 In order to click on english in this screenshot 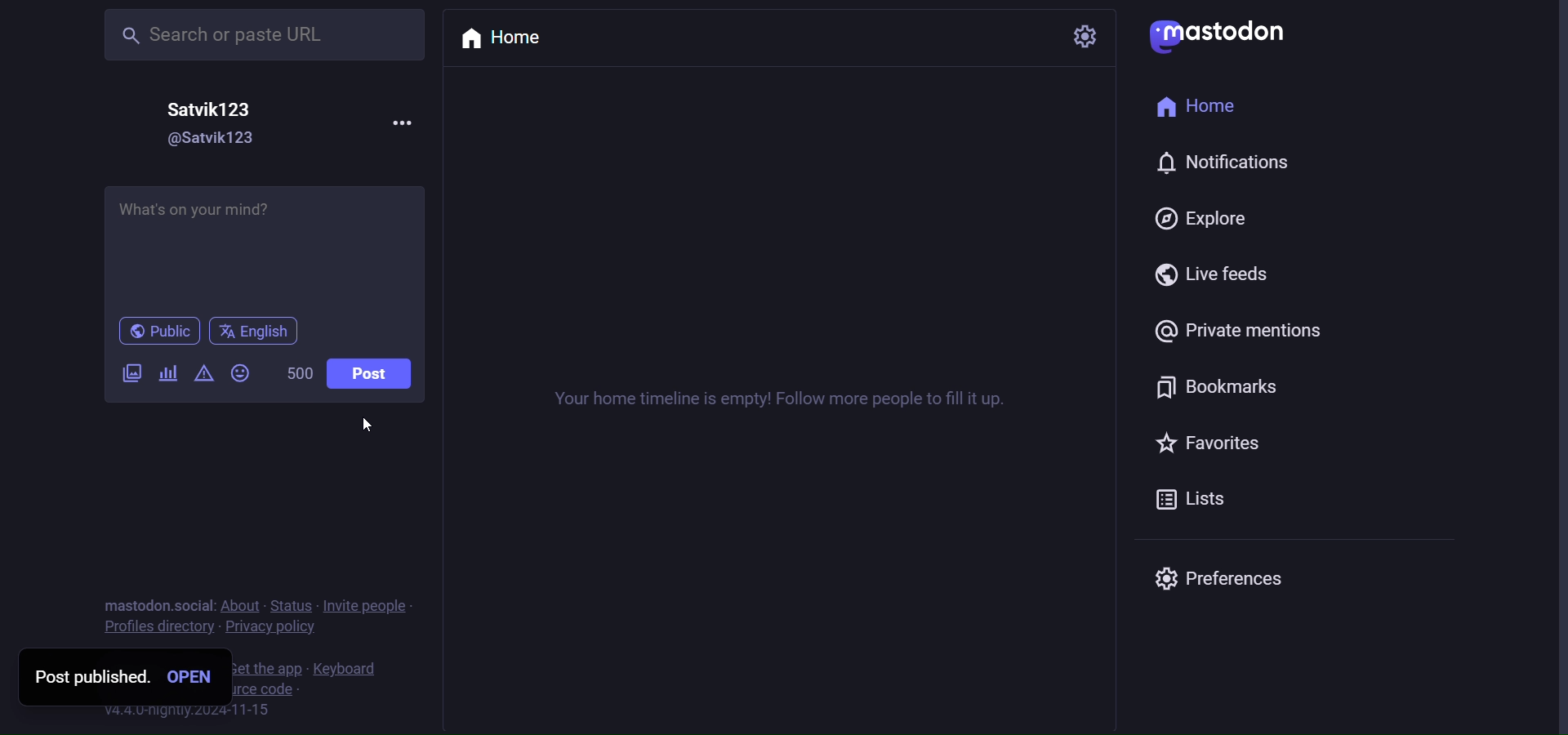, I will do `click(252, 332)`.